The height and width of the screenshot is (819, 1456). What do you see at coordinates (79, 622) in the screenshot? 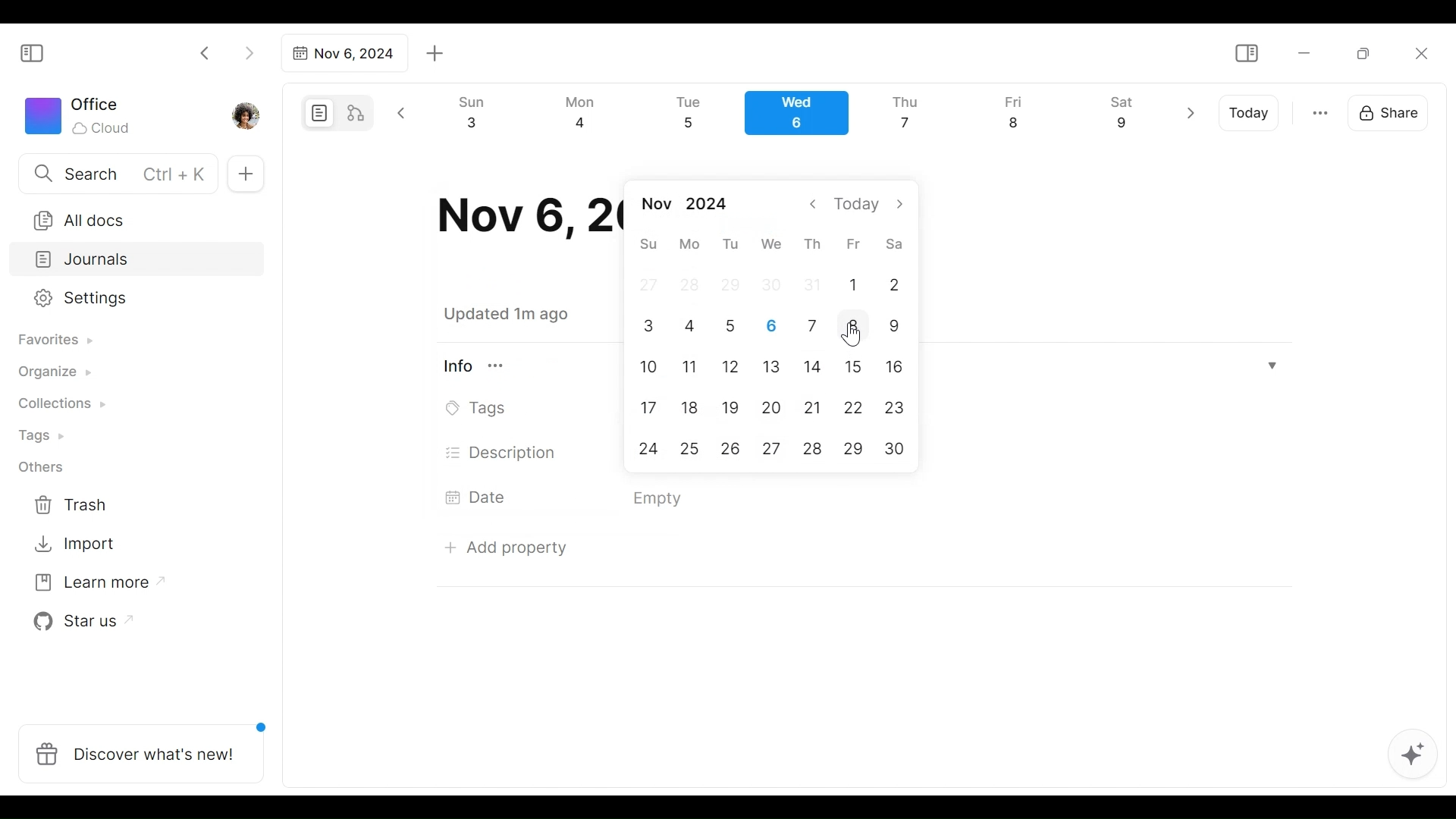
I see `Star us` at bounding box center [79, 622].